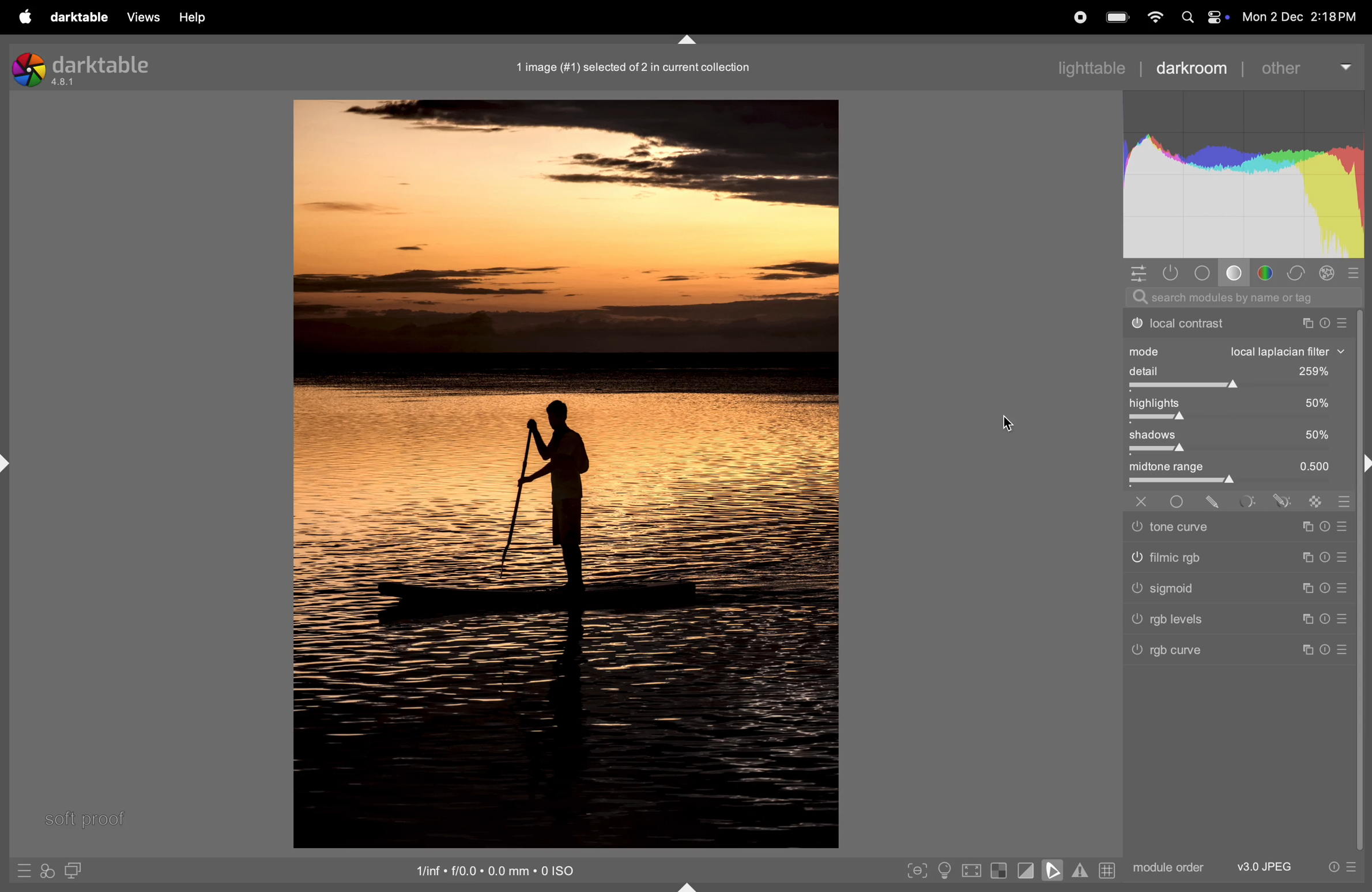  What do you see at coordinates (1342, 868) in the screenshot?
I see `presets` at bounding box center [1342, 868].